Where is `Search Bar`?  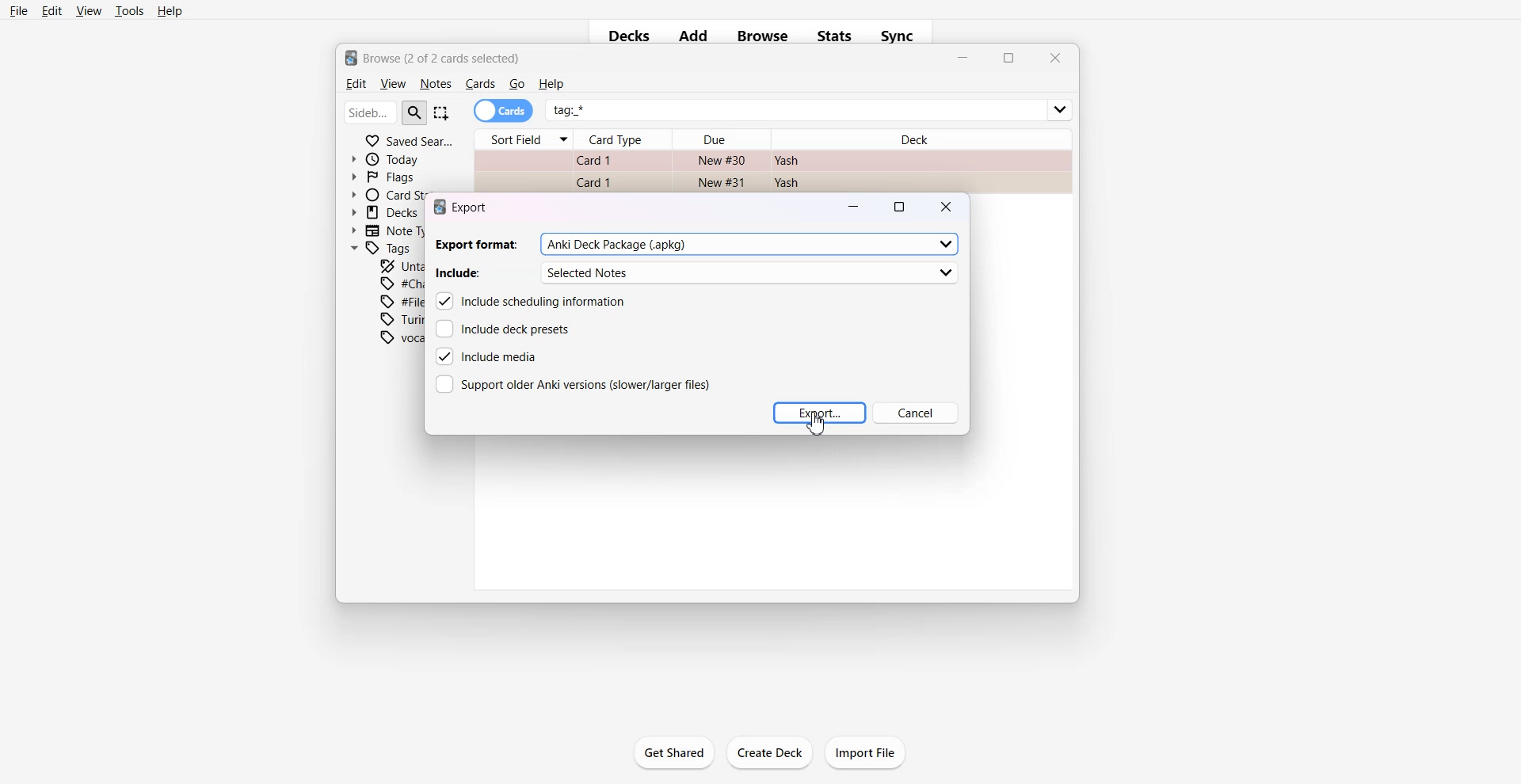
Search Bar is located at coordinates (386, 112).